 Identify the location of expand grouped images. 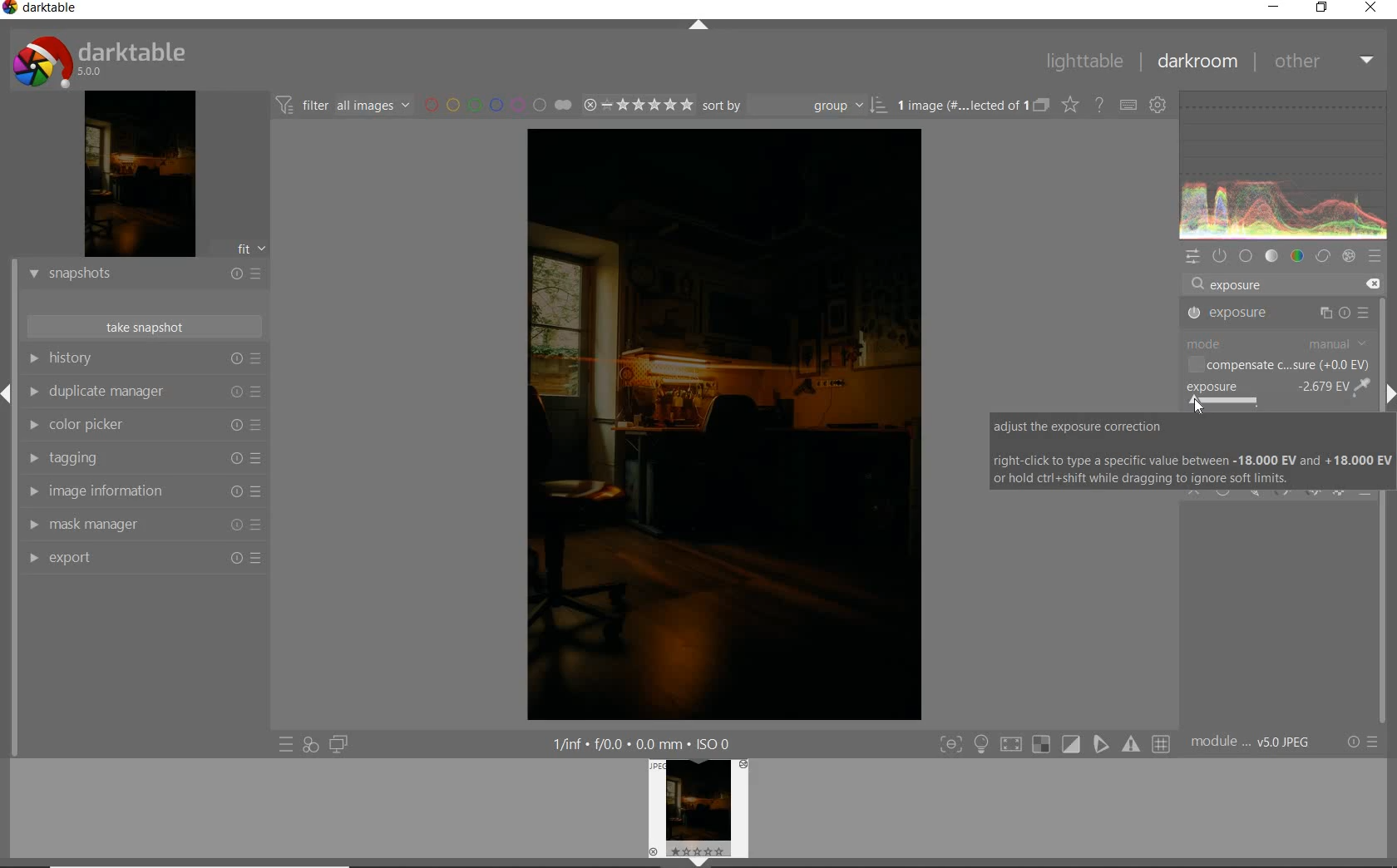
(972, 106).